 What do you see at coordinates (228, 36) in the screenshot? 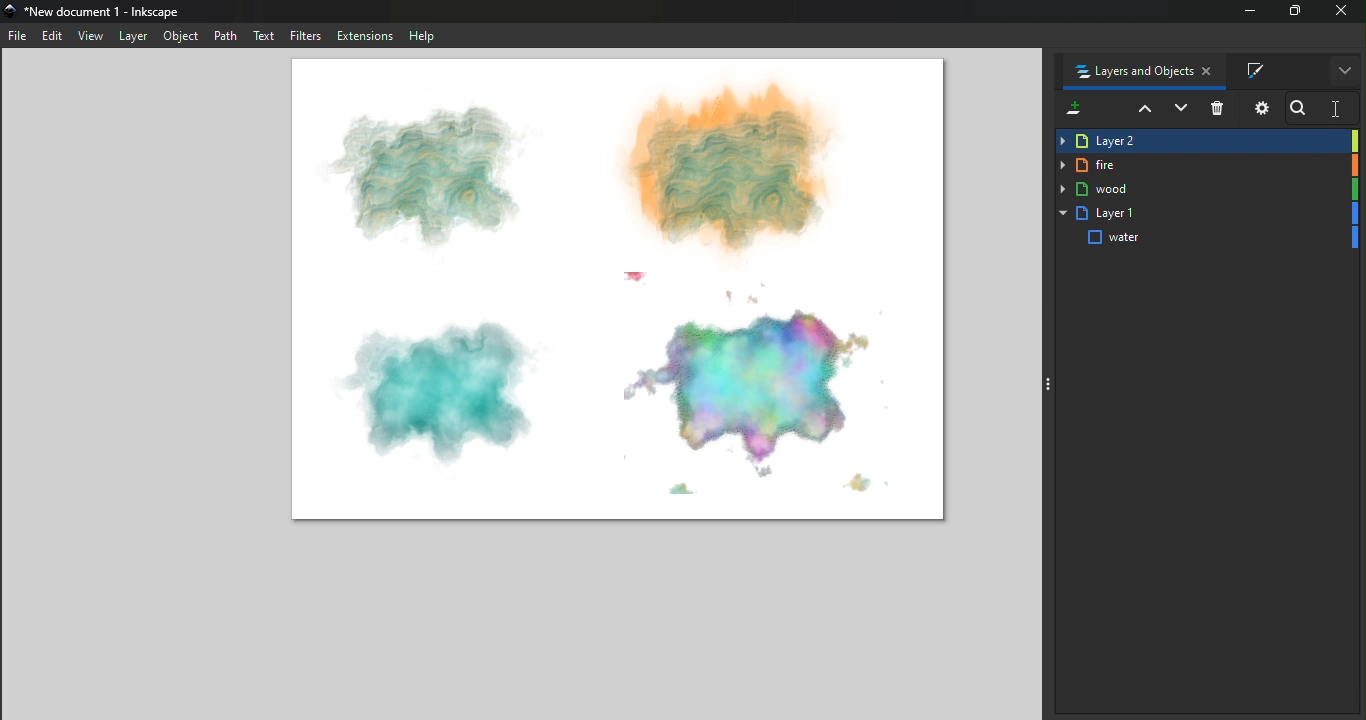
I see `Path` at bounding box center [228, 36].